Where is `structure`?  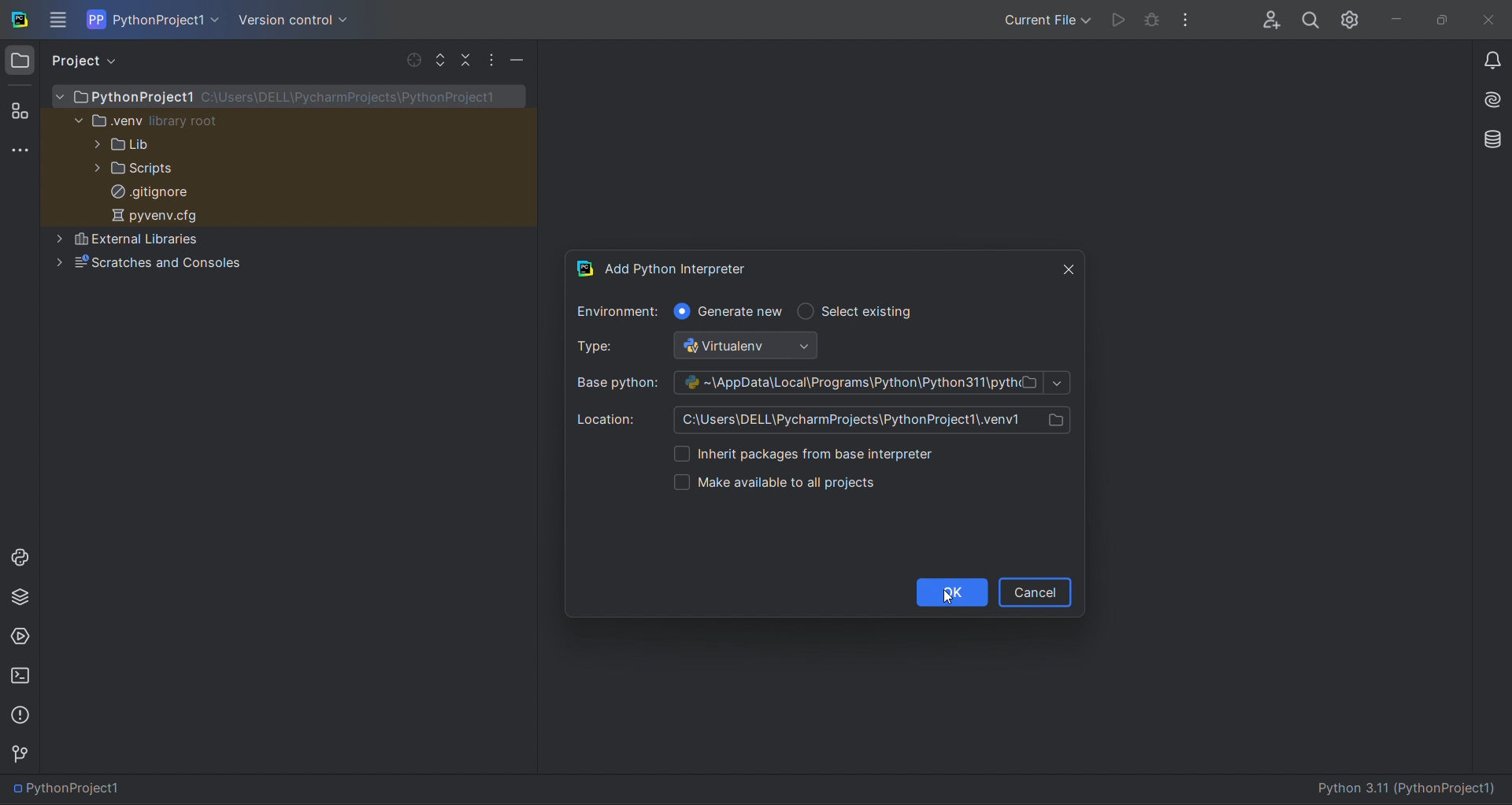 structure is located at coordinates (19, 109).